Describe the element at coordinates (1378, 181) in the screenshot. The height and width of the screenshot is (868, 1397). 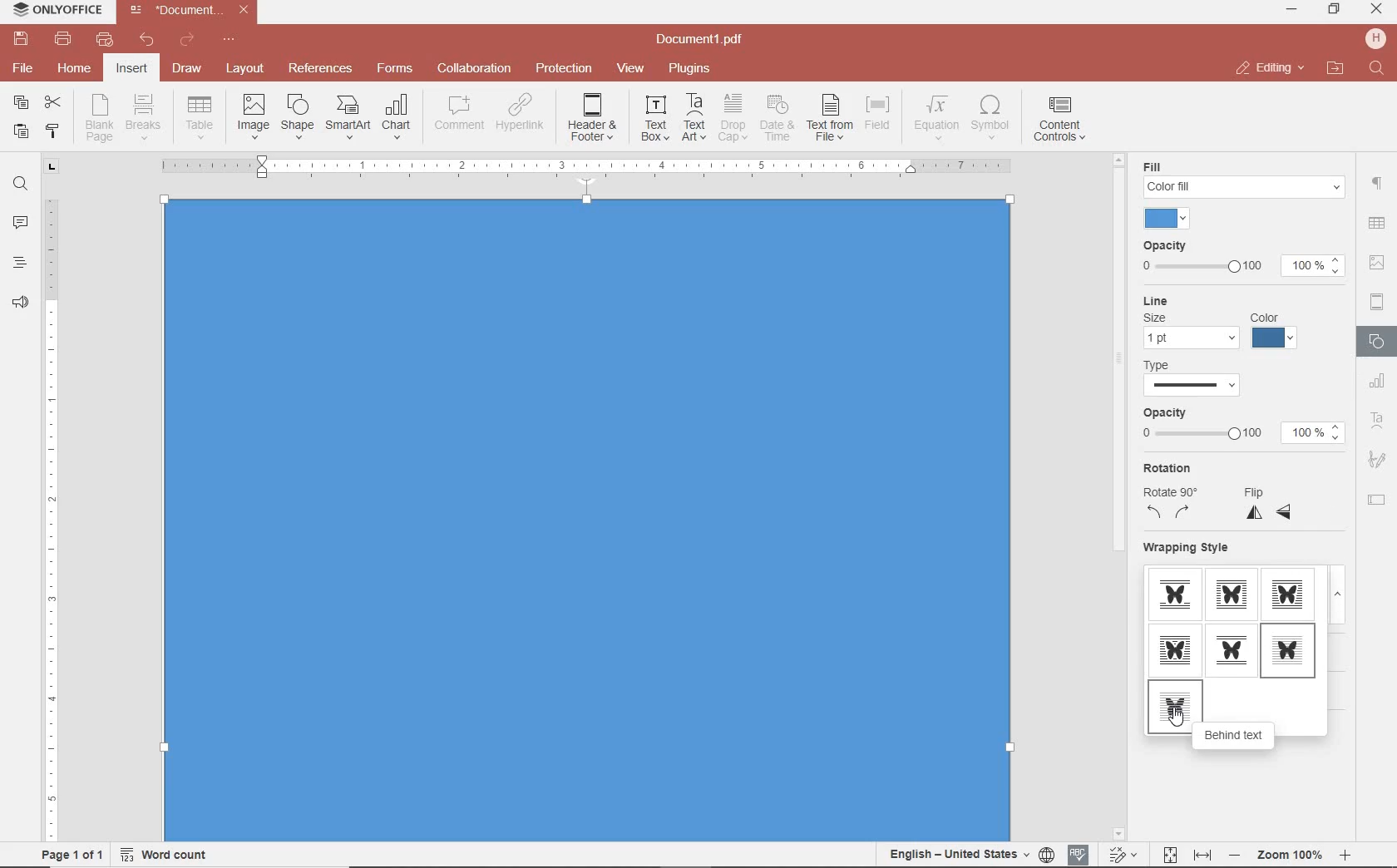
I see `paragraph setting` at that location.